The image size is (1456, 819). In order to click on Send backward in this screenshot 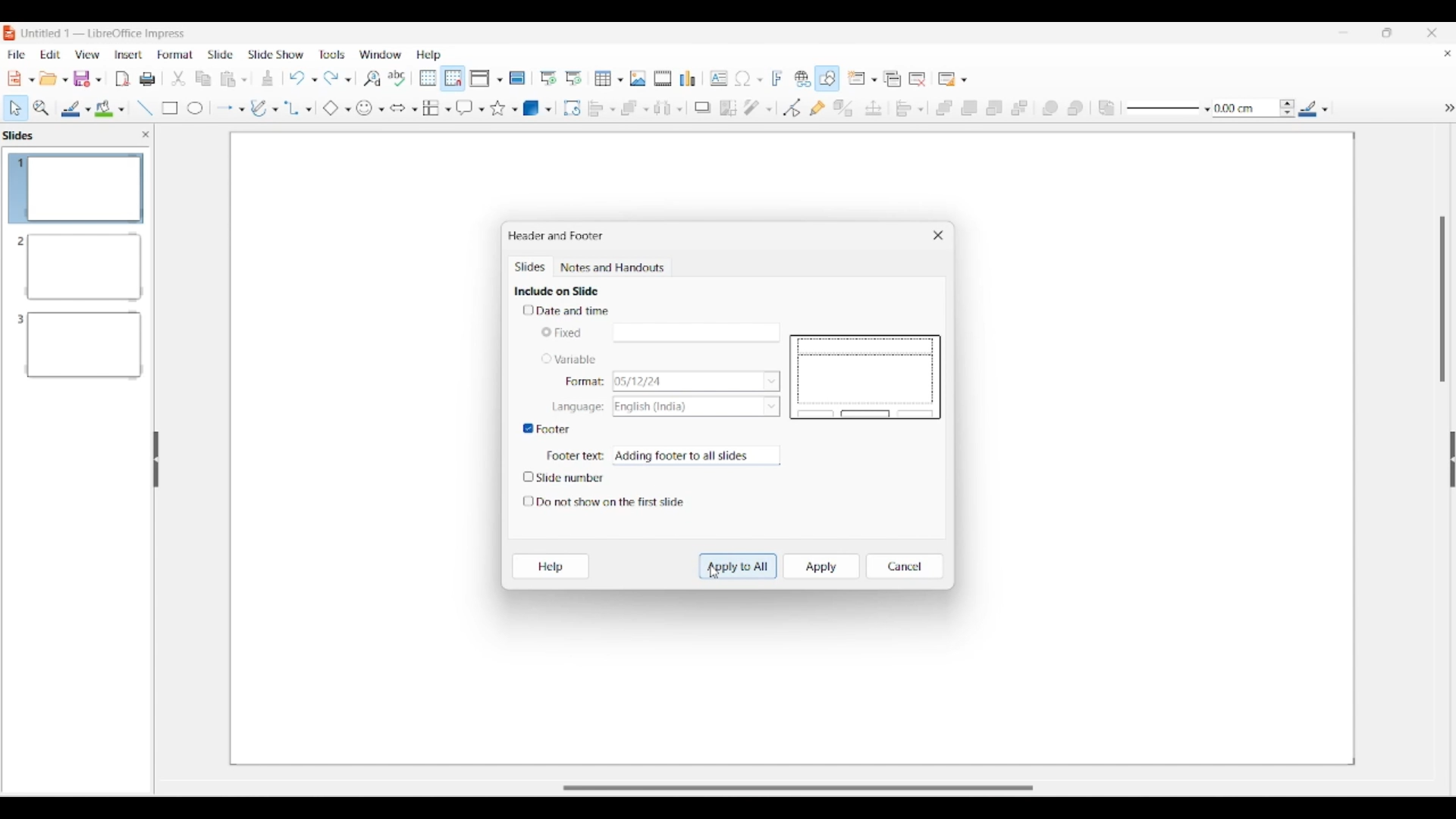, I will do `click(995, 108)`.